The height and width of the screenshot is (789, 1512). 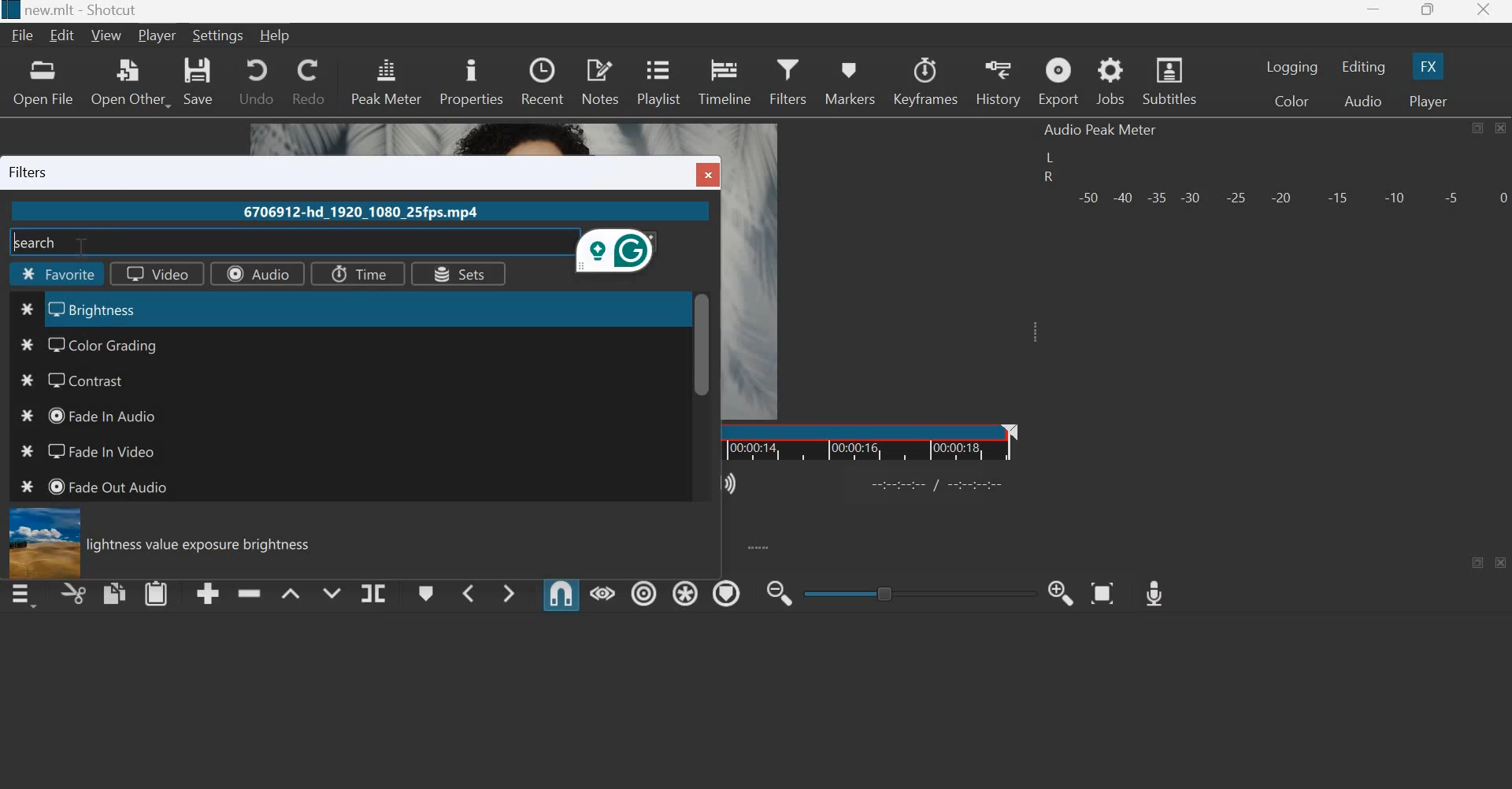 What do you see at coordinates (471, 80) in the screenshot?
I see `properties` at bounding box center [471, 80].